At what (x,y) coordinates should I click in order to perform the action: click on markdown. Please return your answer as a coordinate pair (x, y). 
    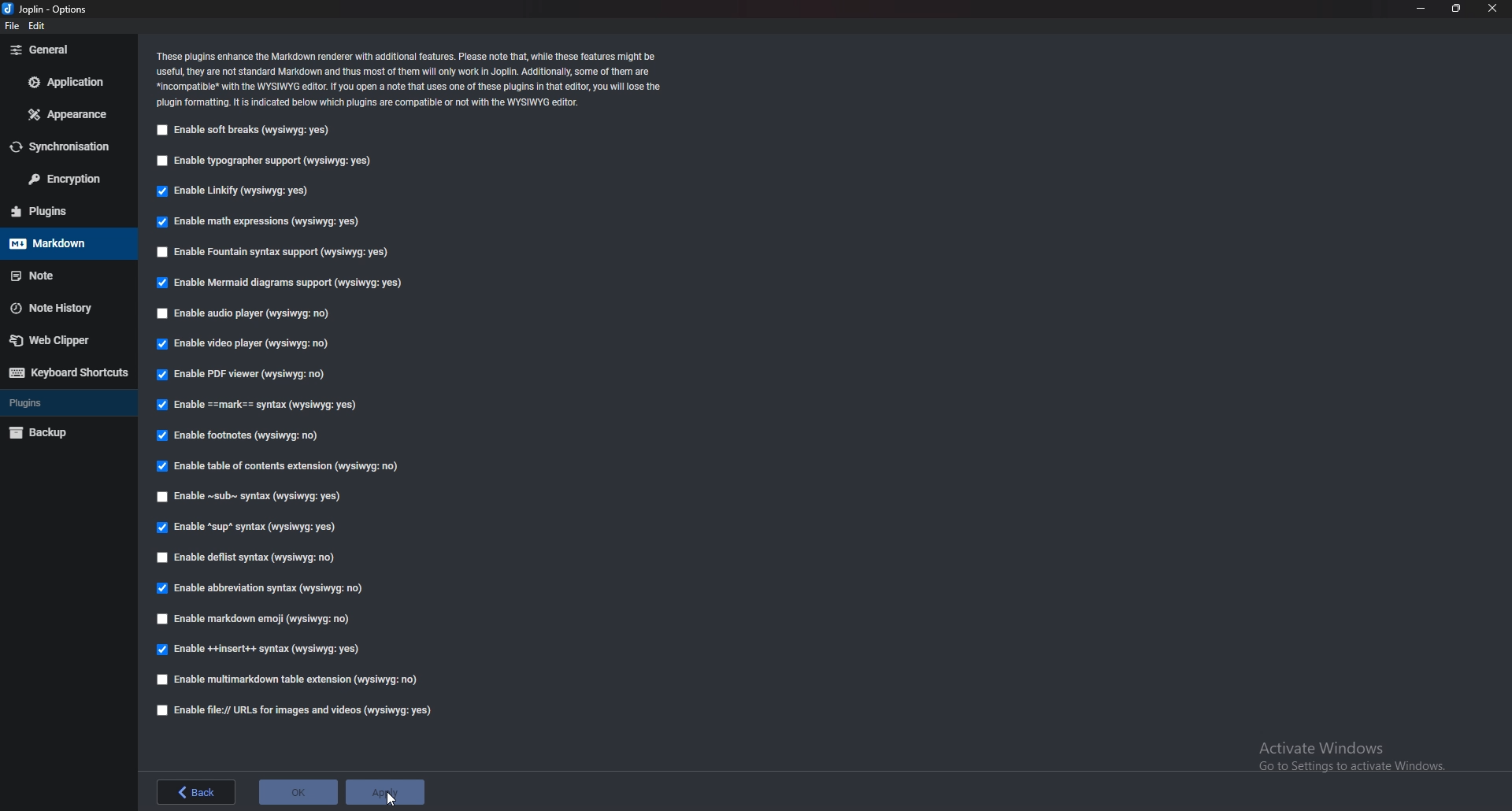
    Looking at the image, I should click on (66, 243).